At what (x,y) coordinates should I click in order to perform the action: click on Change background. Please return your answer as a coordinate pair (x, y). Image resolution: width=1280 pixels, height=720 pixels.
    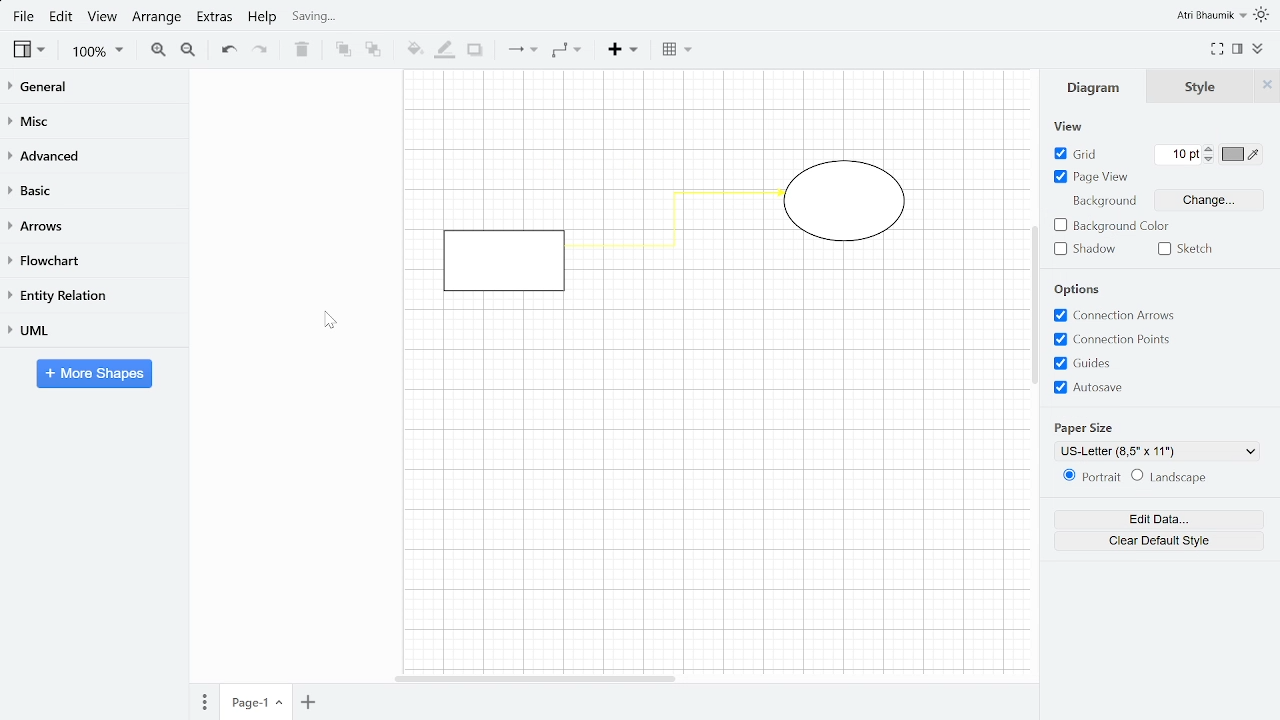
    Looking at the image, I should click on (1210, 200).